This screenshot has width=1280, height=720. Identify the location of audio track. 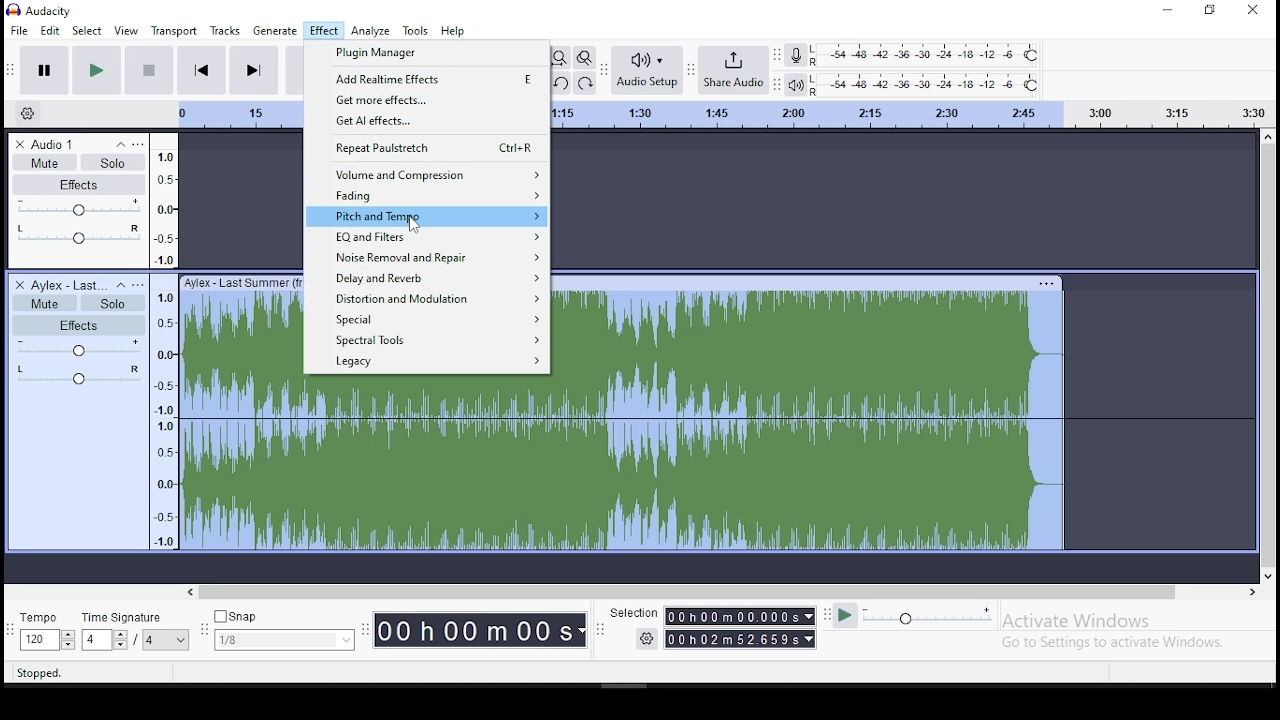
(810, 412).